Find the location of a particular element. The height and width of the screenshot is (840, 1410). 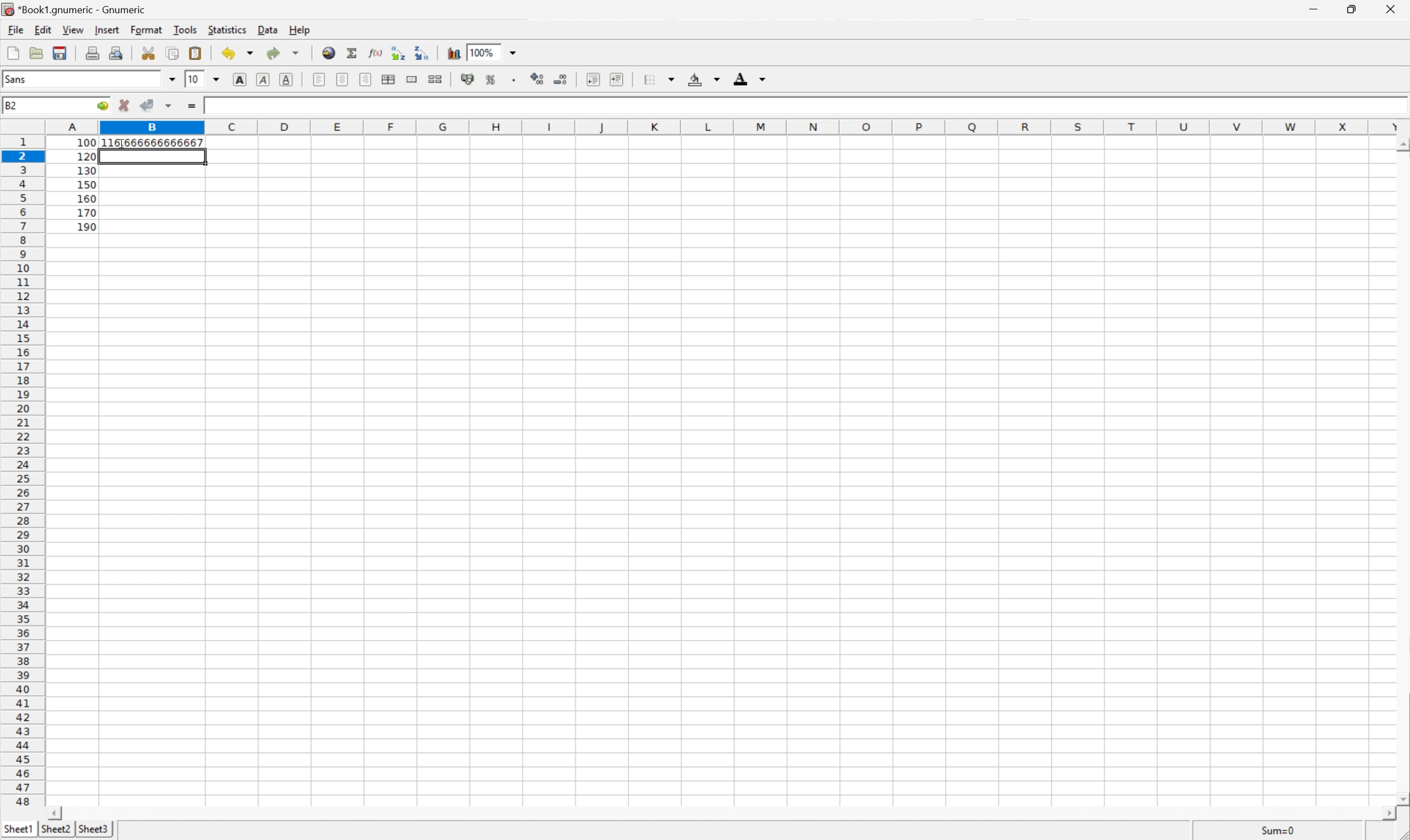

Help is located at coordinates (301, 28).